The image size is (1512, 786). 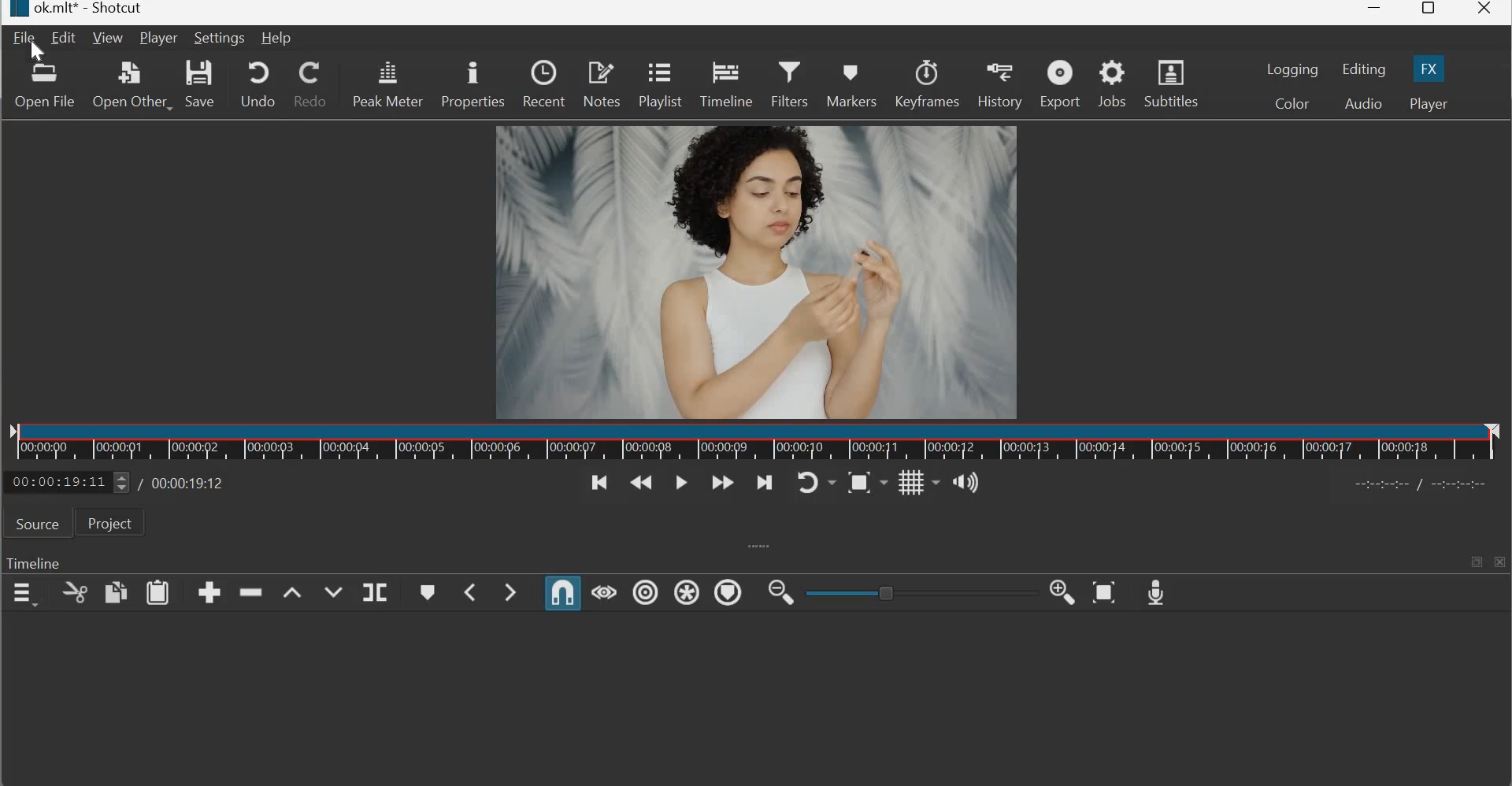 I want to click on Help, so click(x=276, y=38).